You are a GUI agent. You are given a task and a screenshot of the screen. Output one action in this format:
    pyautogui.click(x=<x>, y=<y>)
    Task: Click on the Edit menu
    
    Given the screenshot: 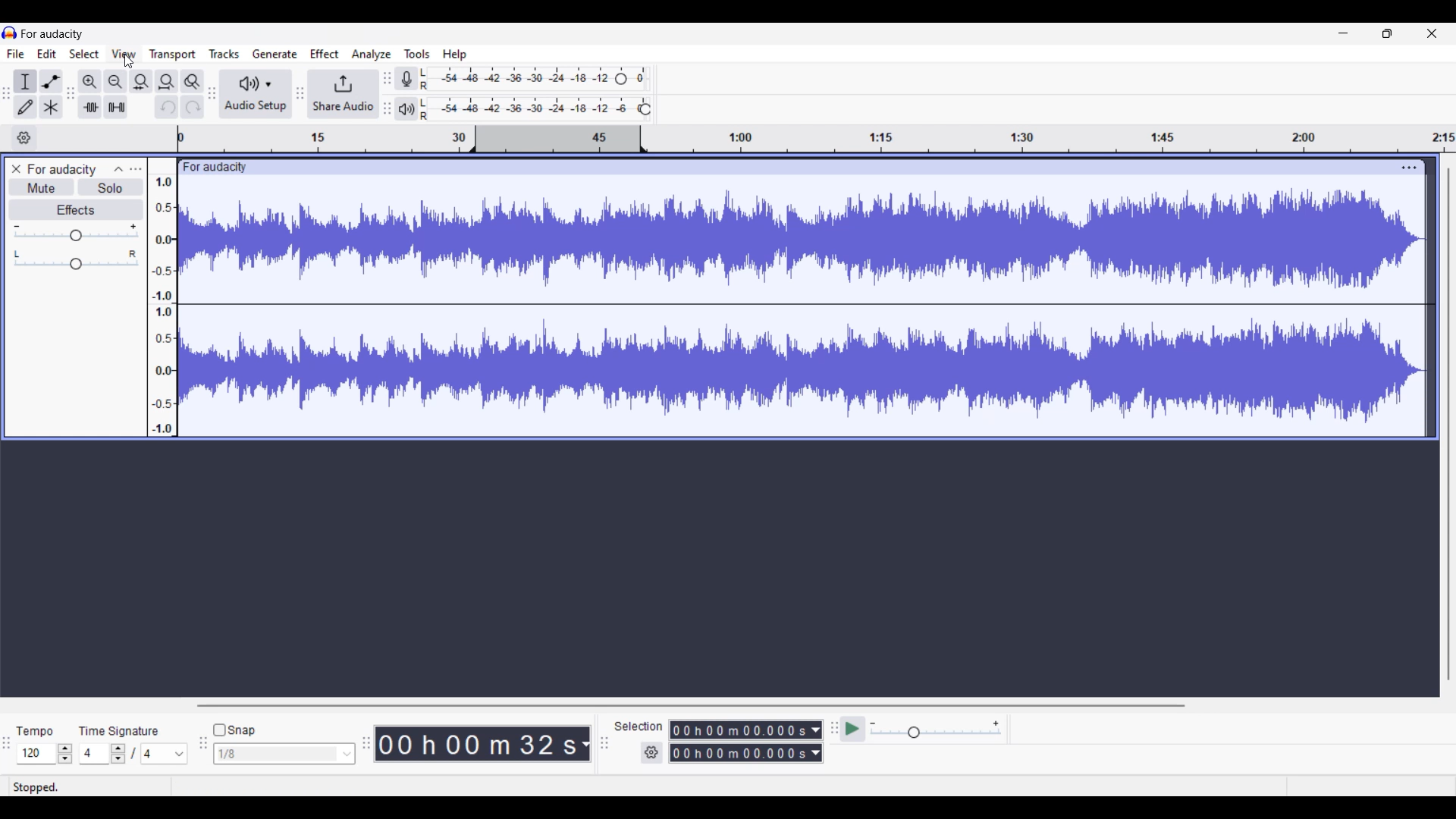 What is the action you would take?
    pyautogui.click(x=47, y=54)
    